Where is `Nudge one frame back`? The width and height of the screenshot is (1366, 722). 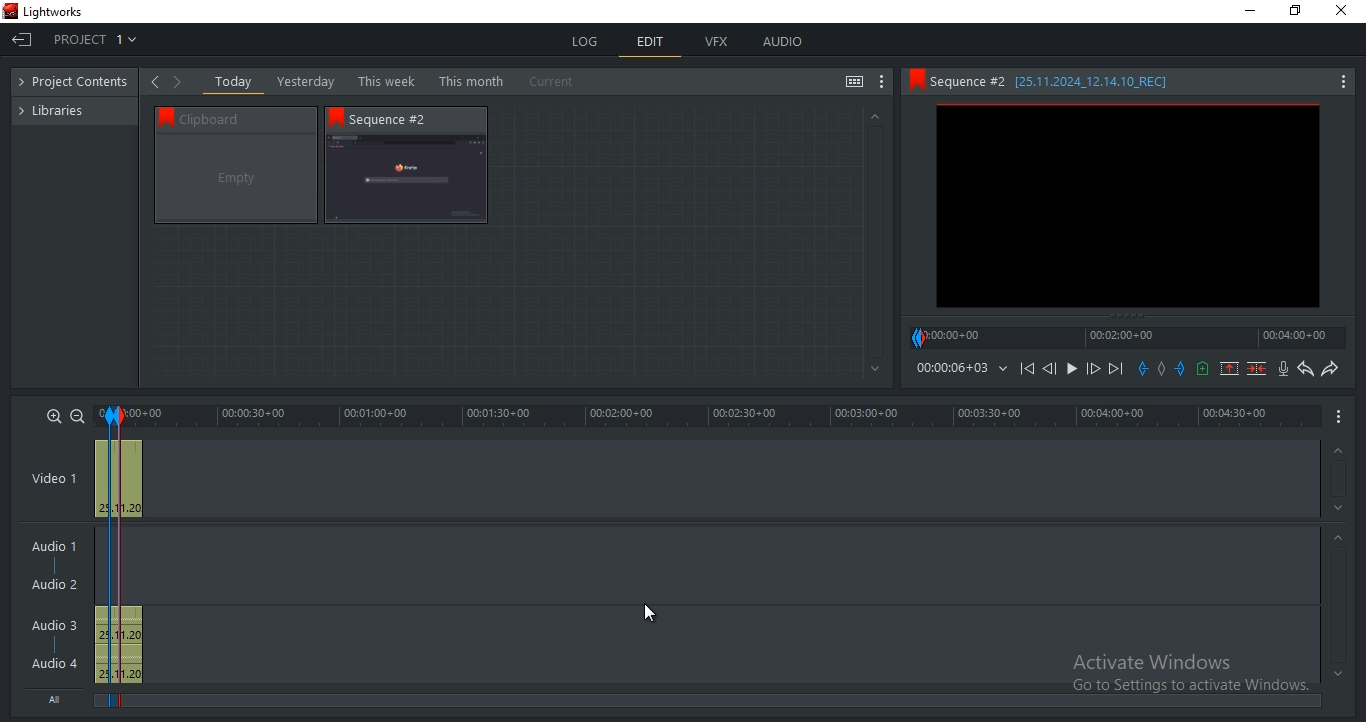 Nudge one frame back is located at coordinates (1053, 371).